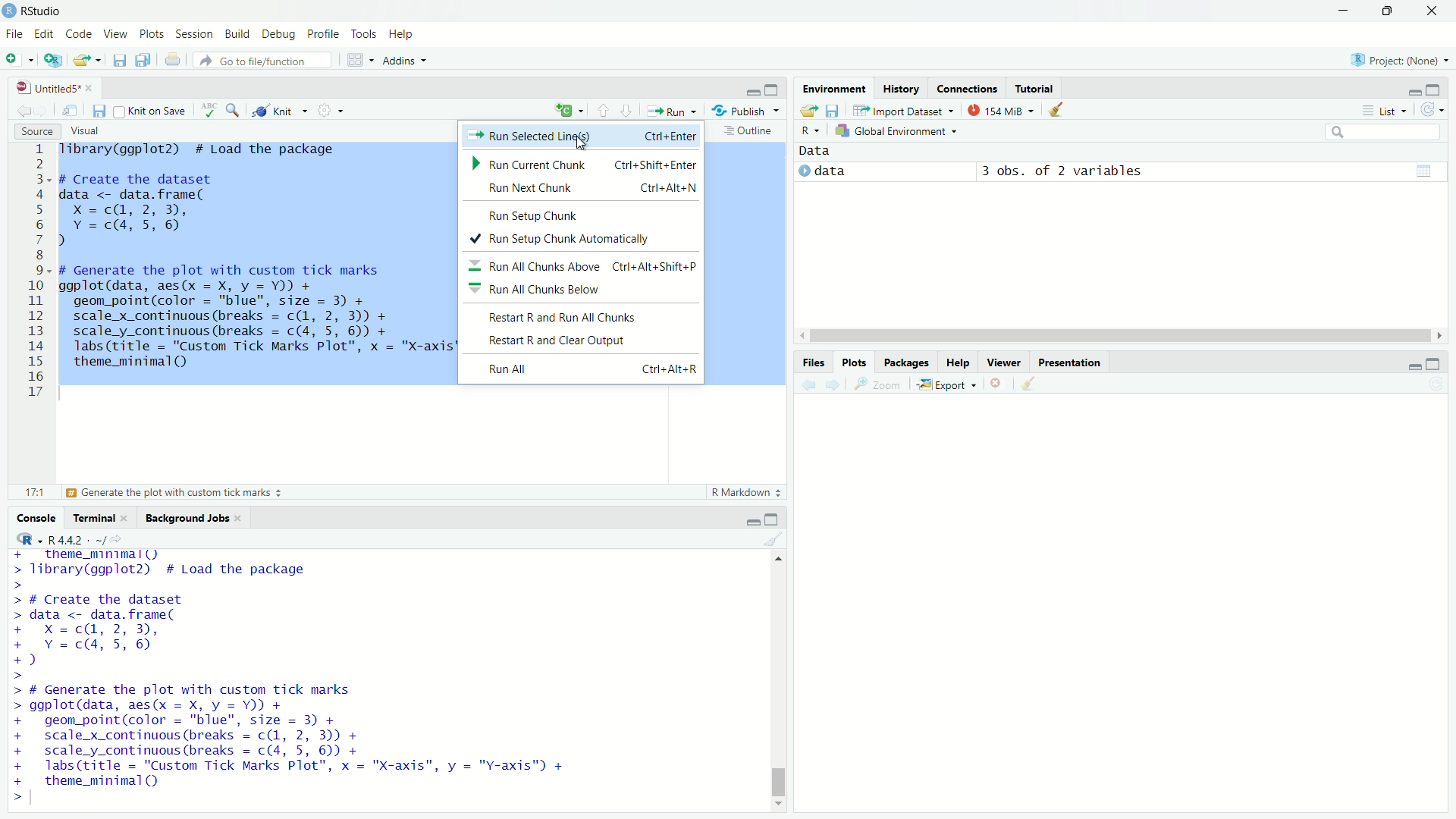 The width and height of the screenshot is (1456, 819). Describe the element at coordinates (582, 342) in the screenshot. I see `Restart R and Clear Output` at that location.